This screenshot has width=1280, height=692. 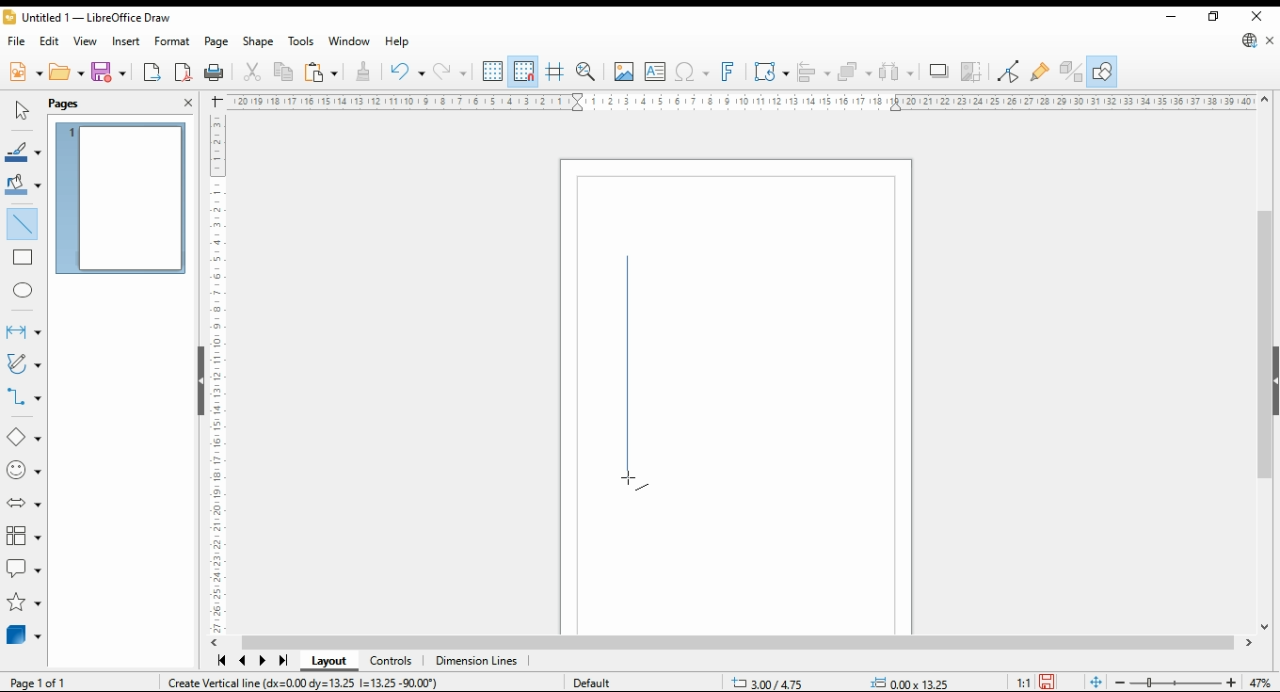 I want to click on Untitled 1 - LibreOffice Draw, so click(x=86, y=19).